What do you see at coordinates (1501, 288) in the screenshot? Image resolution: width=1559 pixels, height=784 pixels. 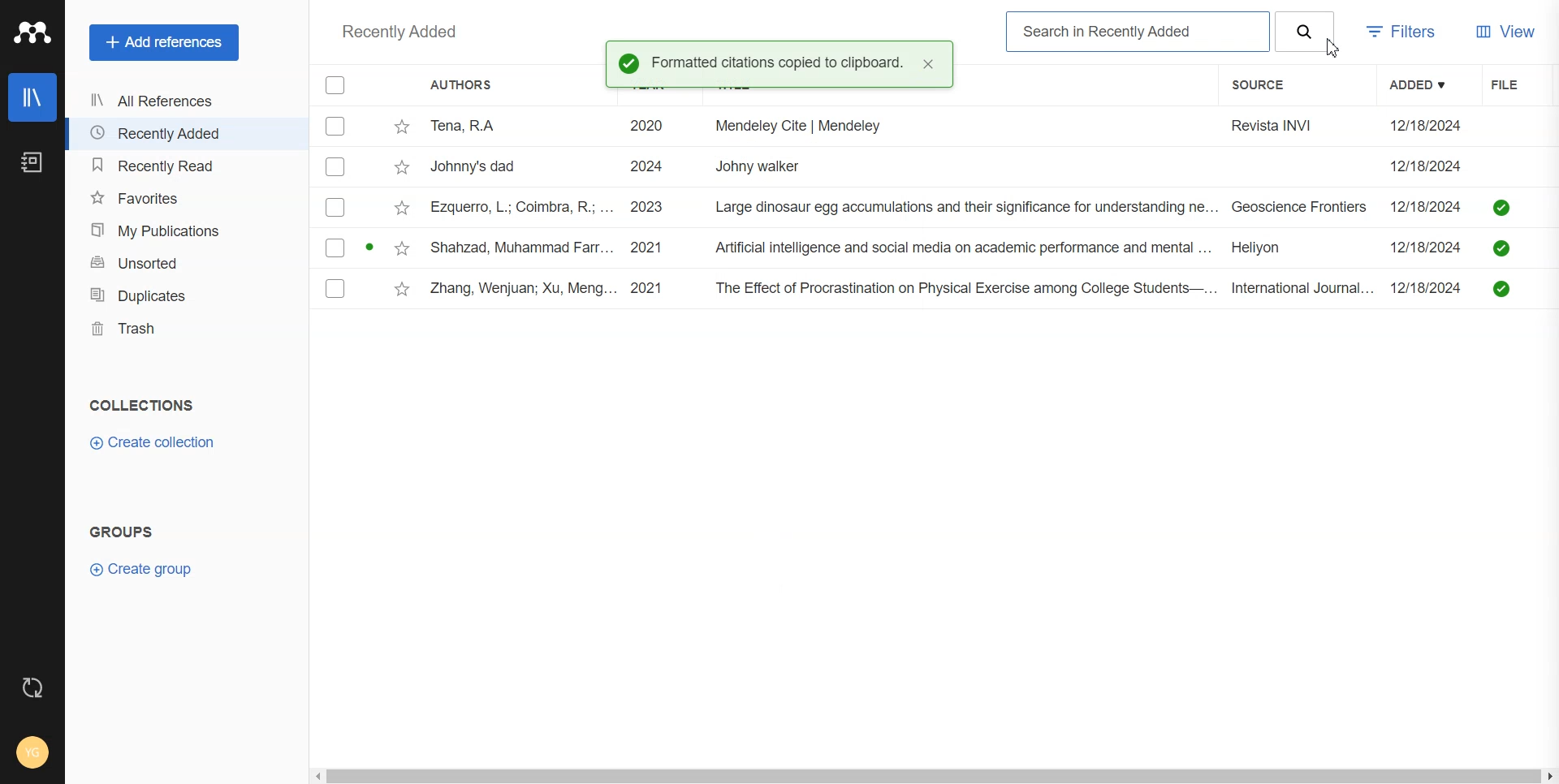 I see `saved` at bounding box center [1501, 288].